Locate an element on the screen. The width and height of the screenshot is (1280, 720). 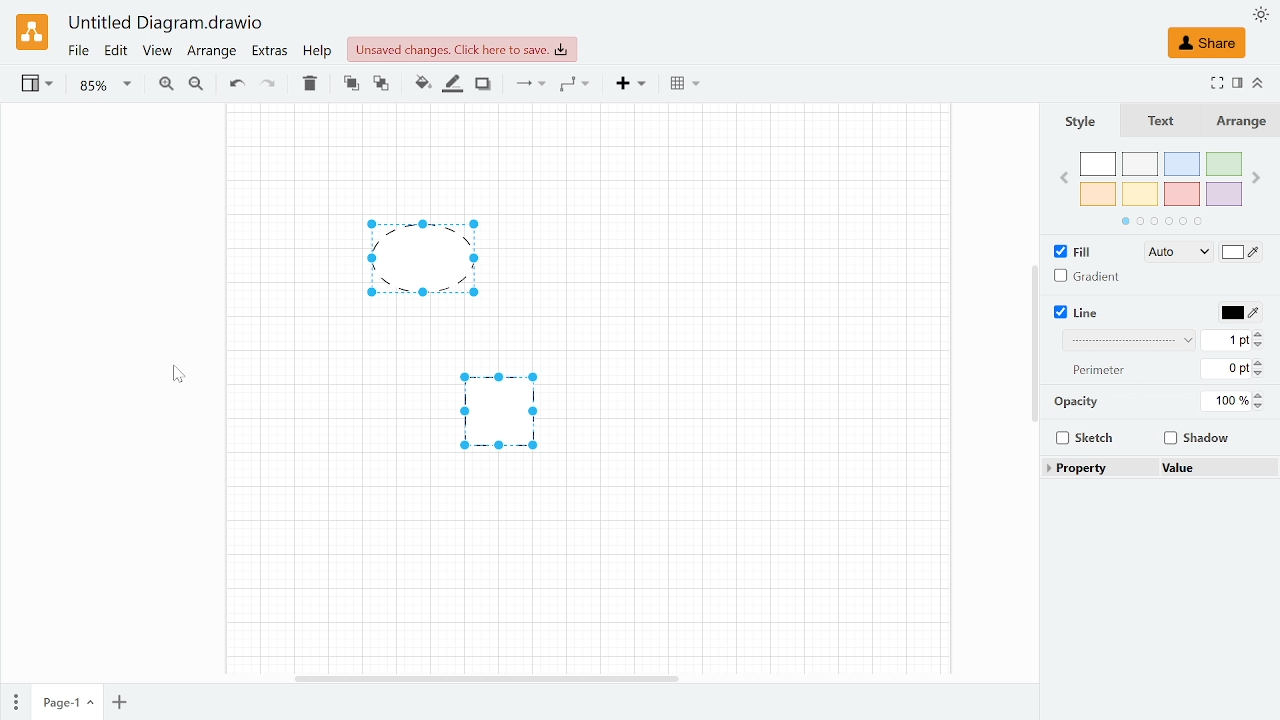
TO front is located at coordinates (350, 84).